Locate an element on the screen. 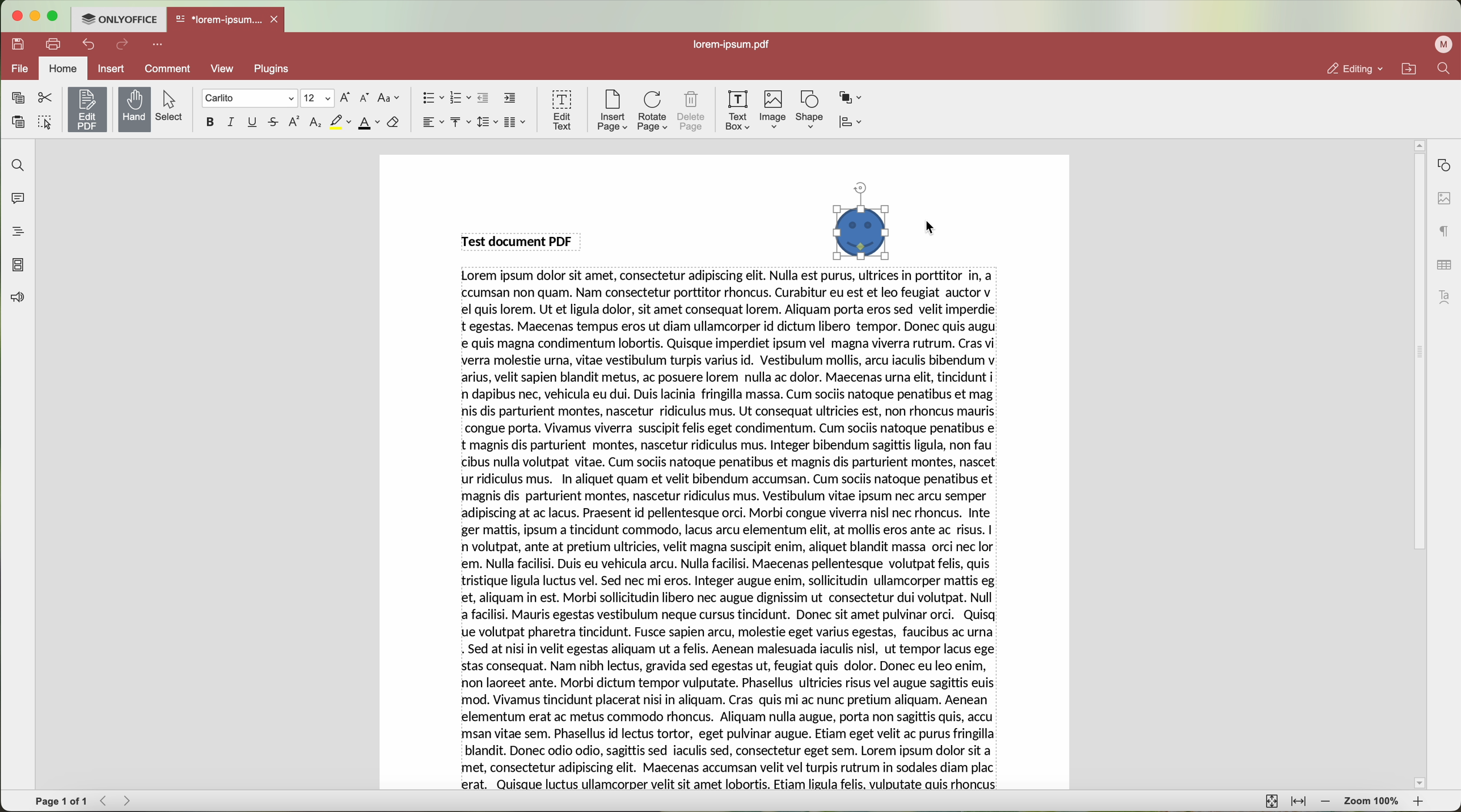 The width and height of the screenshot is (1461, 812). zoom in is located at coordinates (1418, 802).